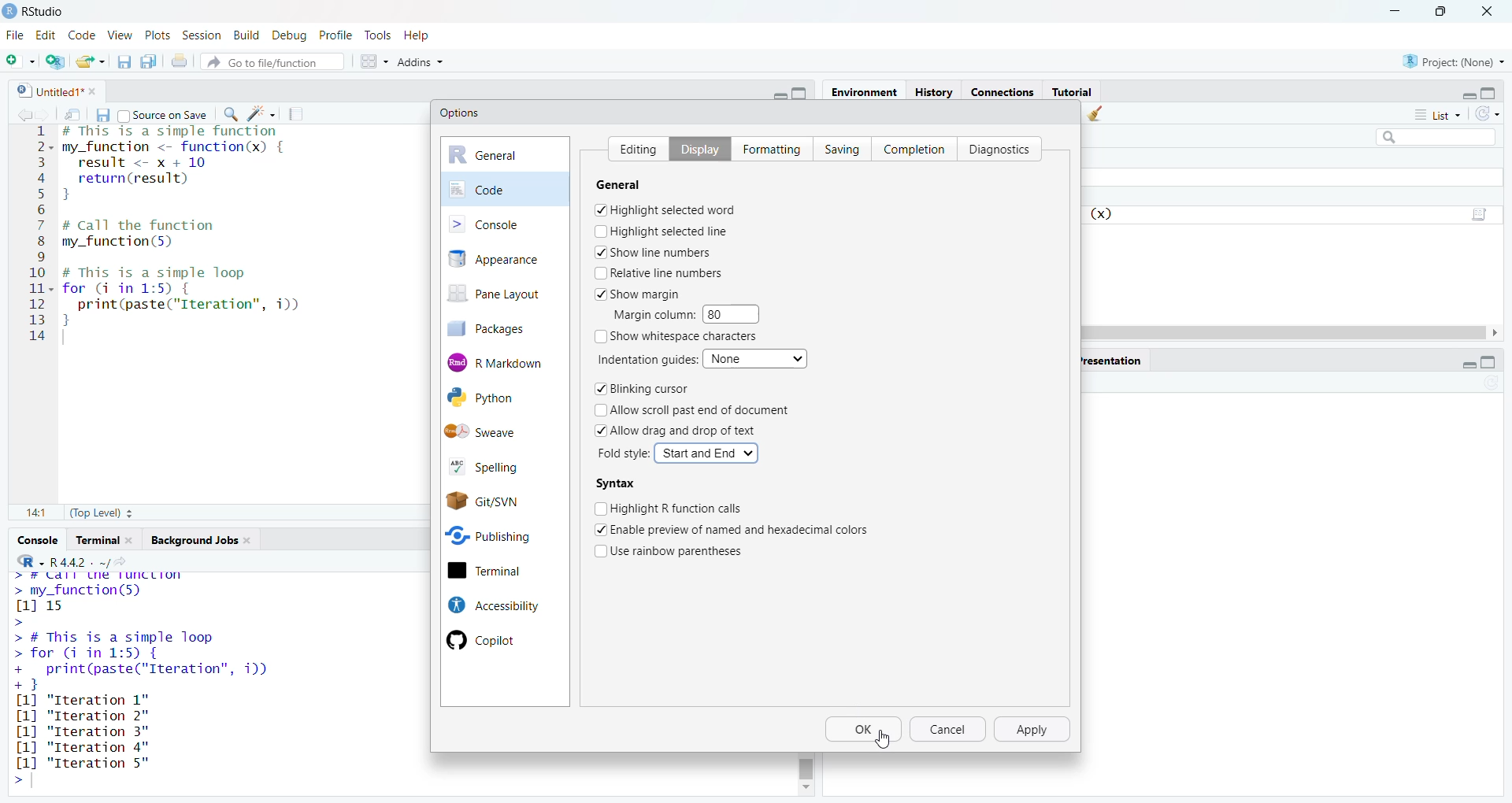  What do you see at coordinates (372, 60) in the screenshot?
I see `workspace panes` at bounding box center [372, 60].